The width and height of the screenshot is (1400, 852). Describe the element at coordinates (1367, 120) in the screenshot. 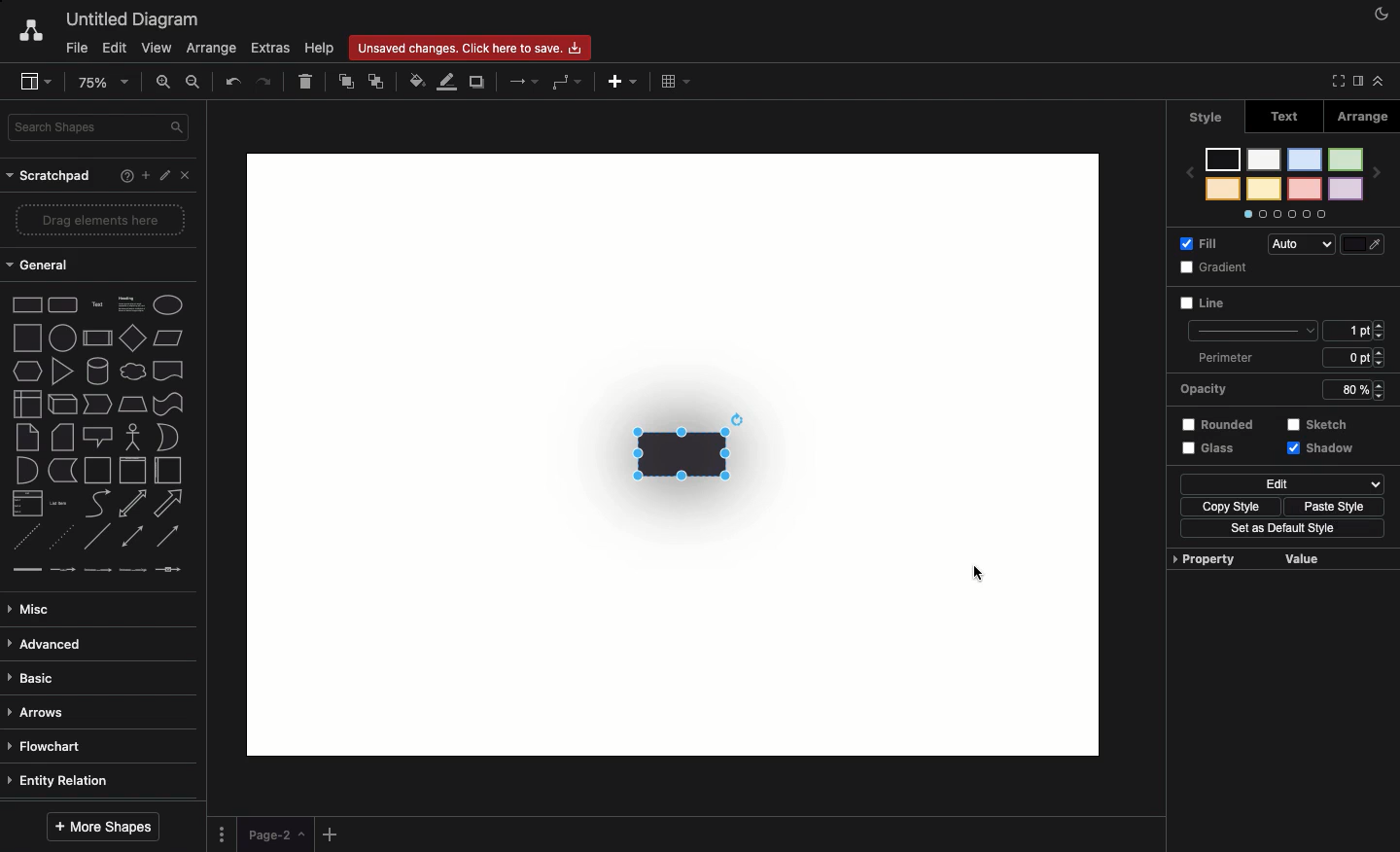

I see `Arrange` at that location.